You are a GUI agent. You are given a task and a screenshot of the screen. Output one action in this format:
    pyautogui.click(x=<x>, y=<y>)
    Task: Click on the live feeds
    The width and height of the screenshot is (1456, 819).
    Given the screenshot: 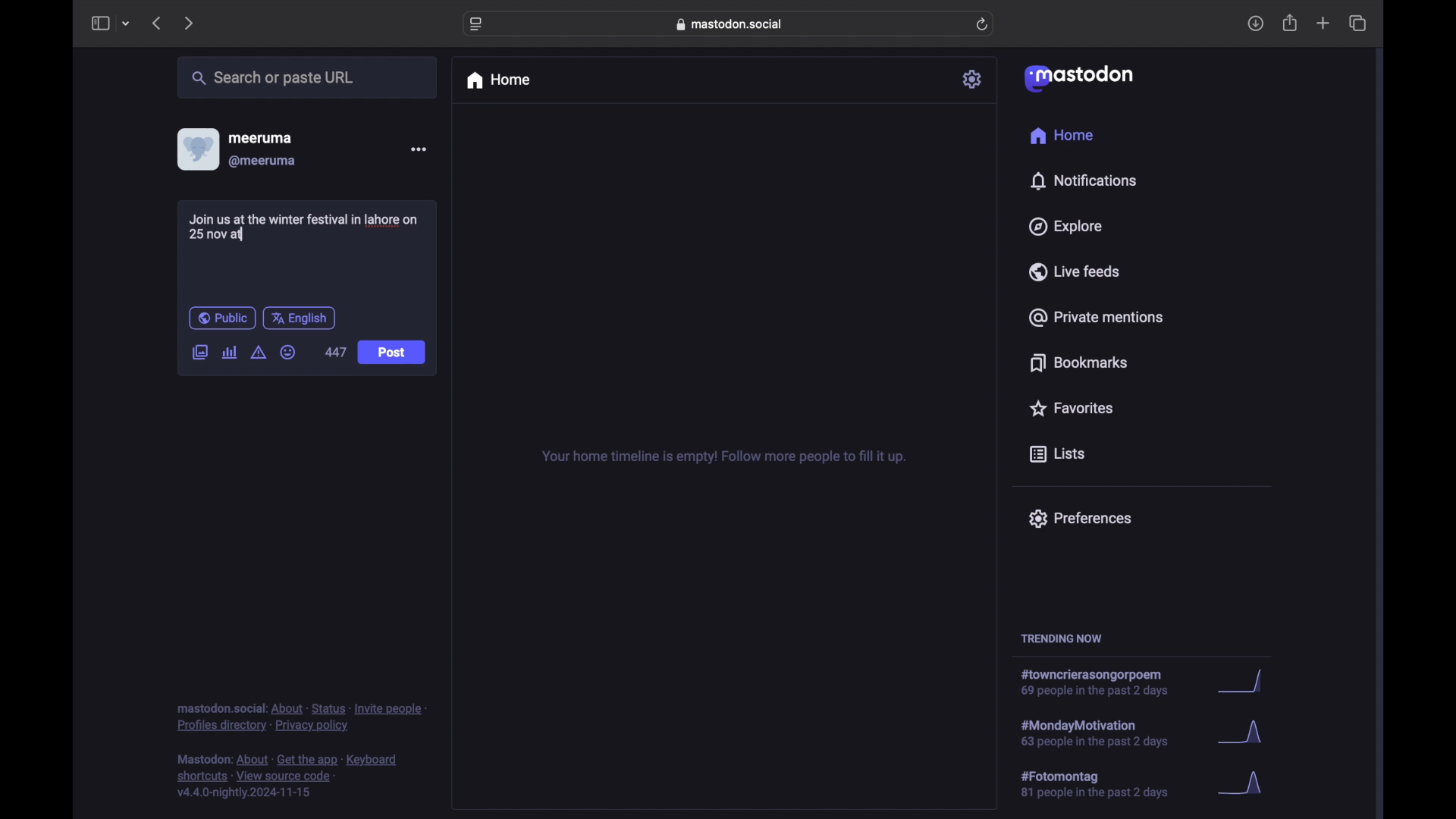 What is the action you would take?
    pyautogui.click(x=1075, y=271)
    